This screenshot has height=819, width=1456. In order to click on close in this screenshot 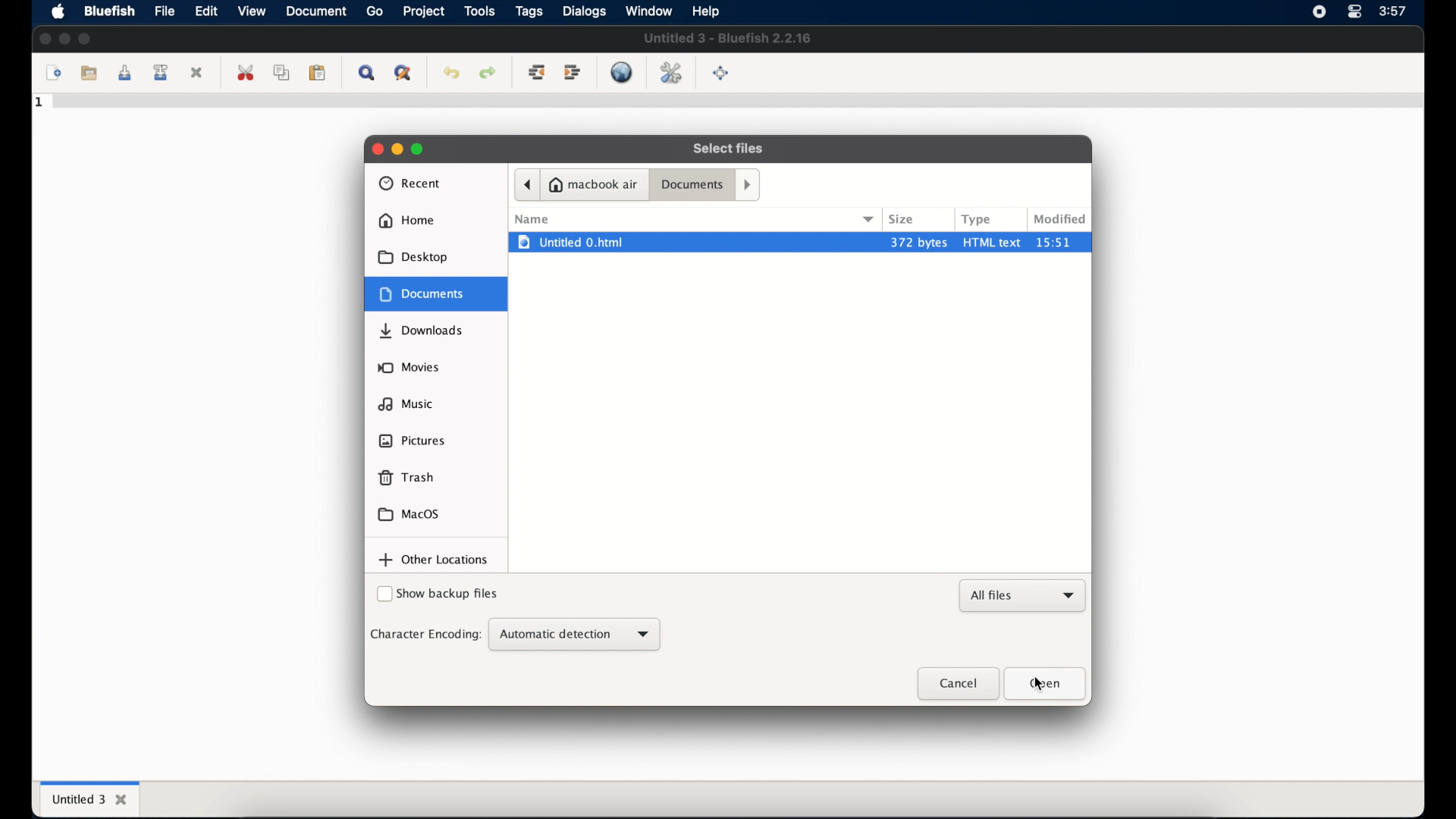, I will do `click(956, 684)`.